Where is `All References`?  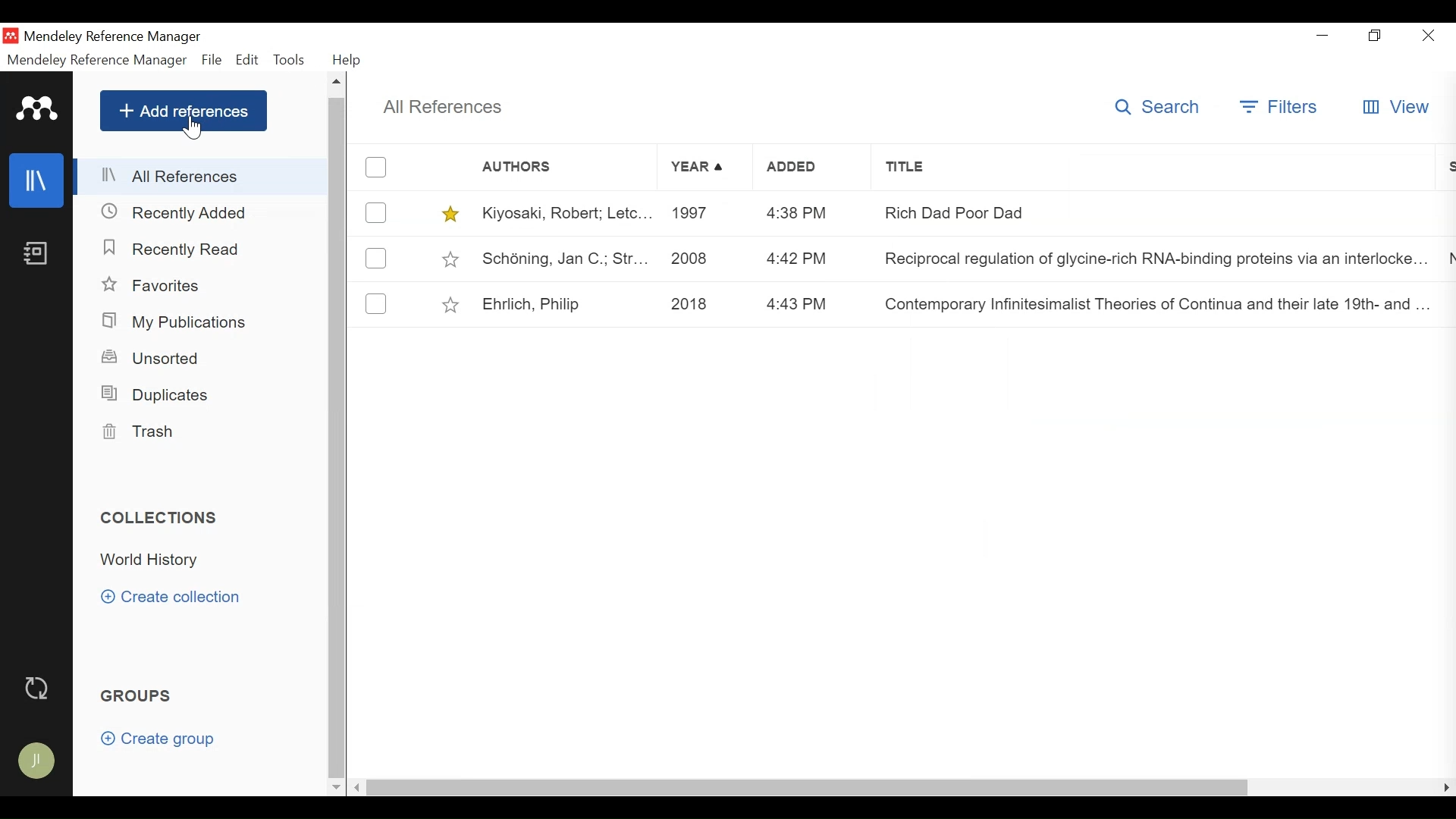 All References is located at coordinates (442, 107).